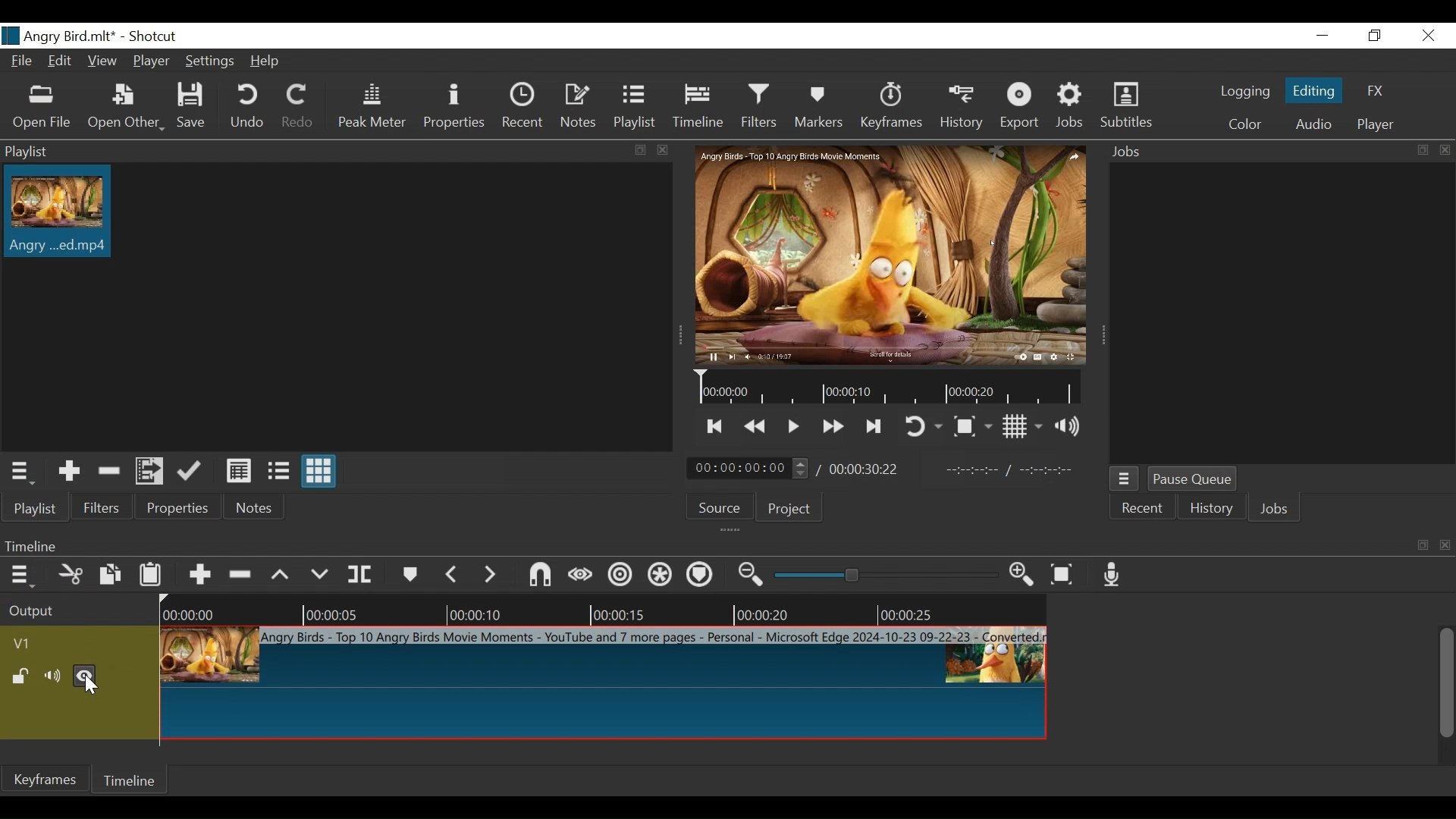 The image size is (1456, 819). Describe the element at coordinates (1375, 91) in the screenshot. I see `FX` at that location.